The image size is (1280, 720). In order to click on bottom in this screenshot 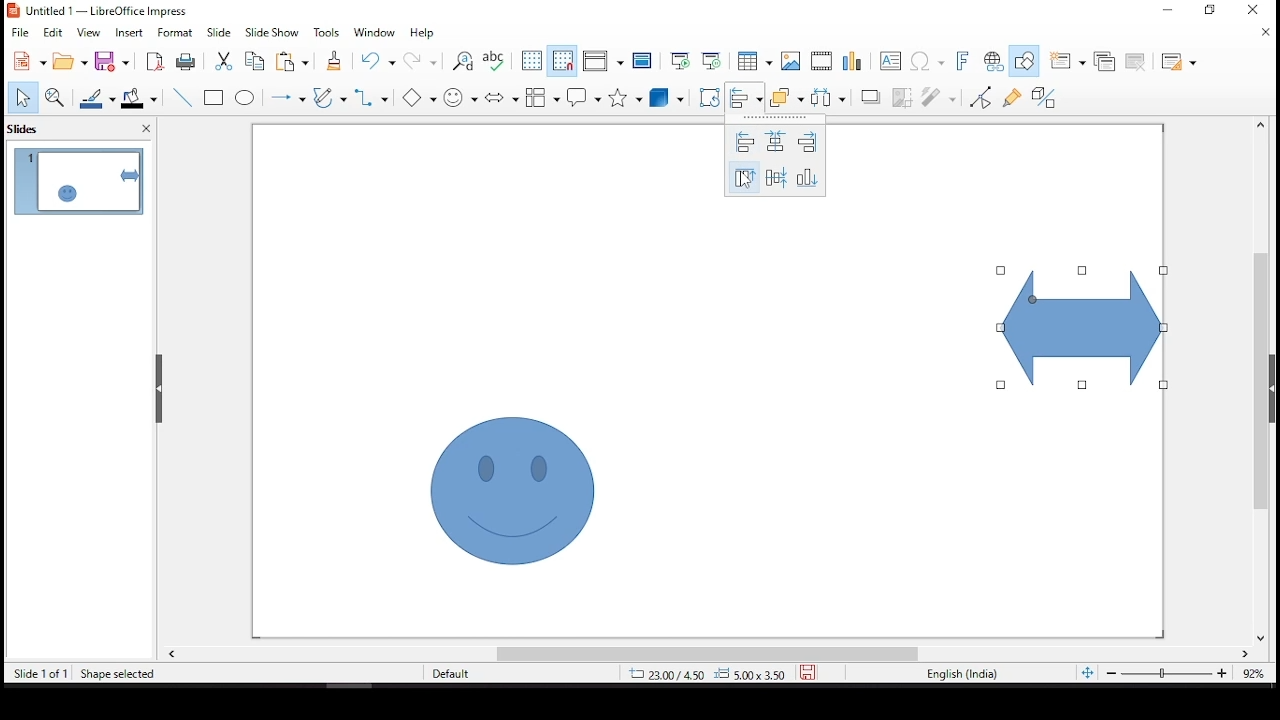, I will do `click(809, 177)`.